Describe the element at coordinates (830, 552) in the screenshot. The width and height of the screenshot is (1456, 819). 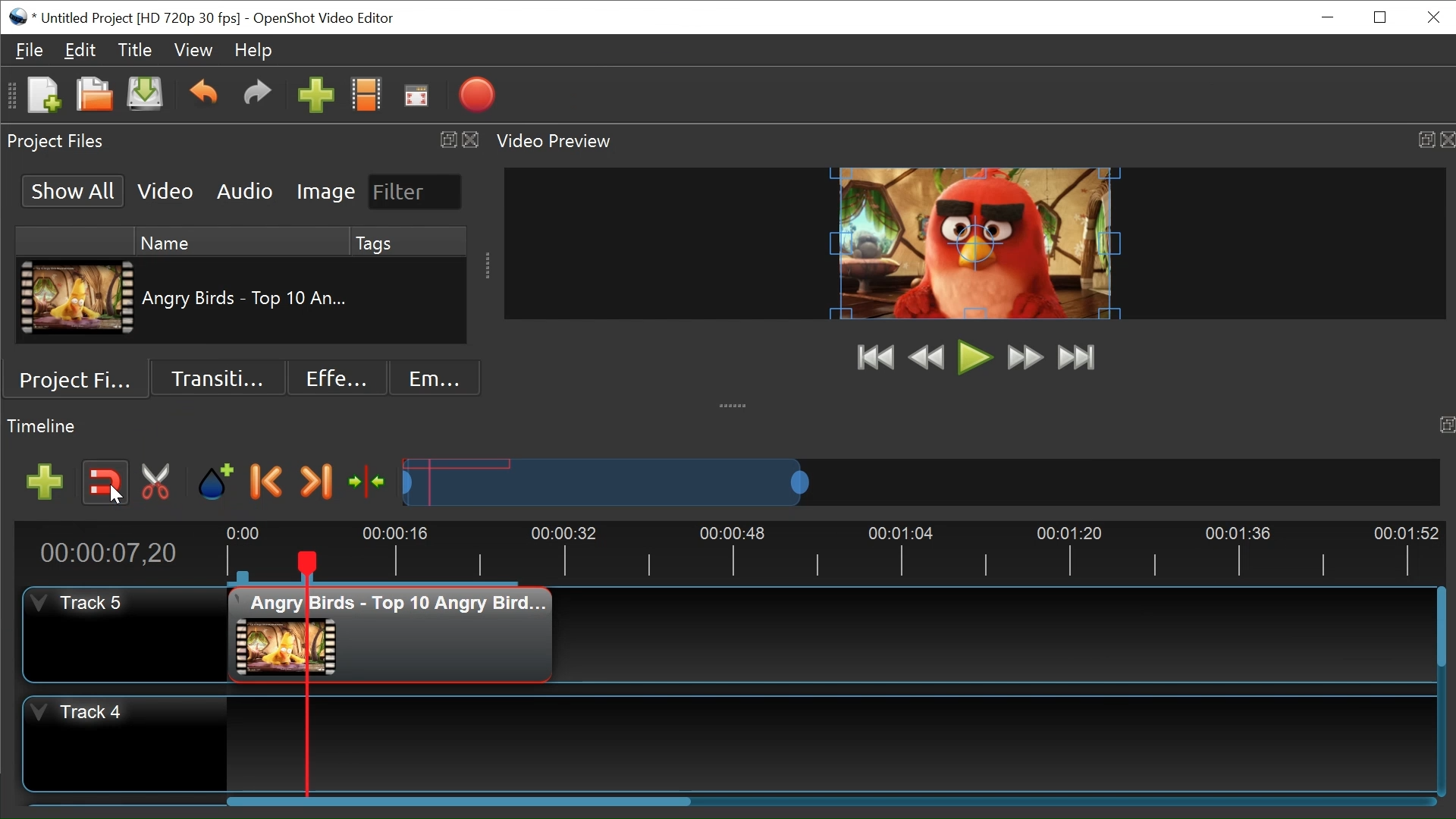
I see `Timeline` at that location.